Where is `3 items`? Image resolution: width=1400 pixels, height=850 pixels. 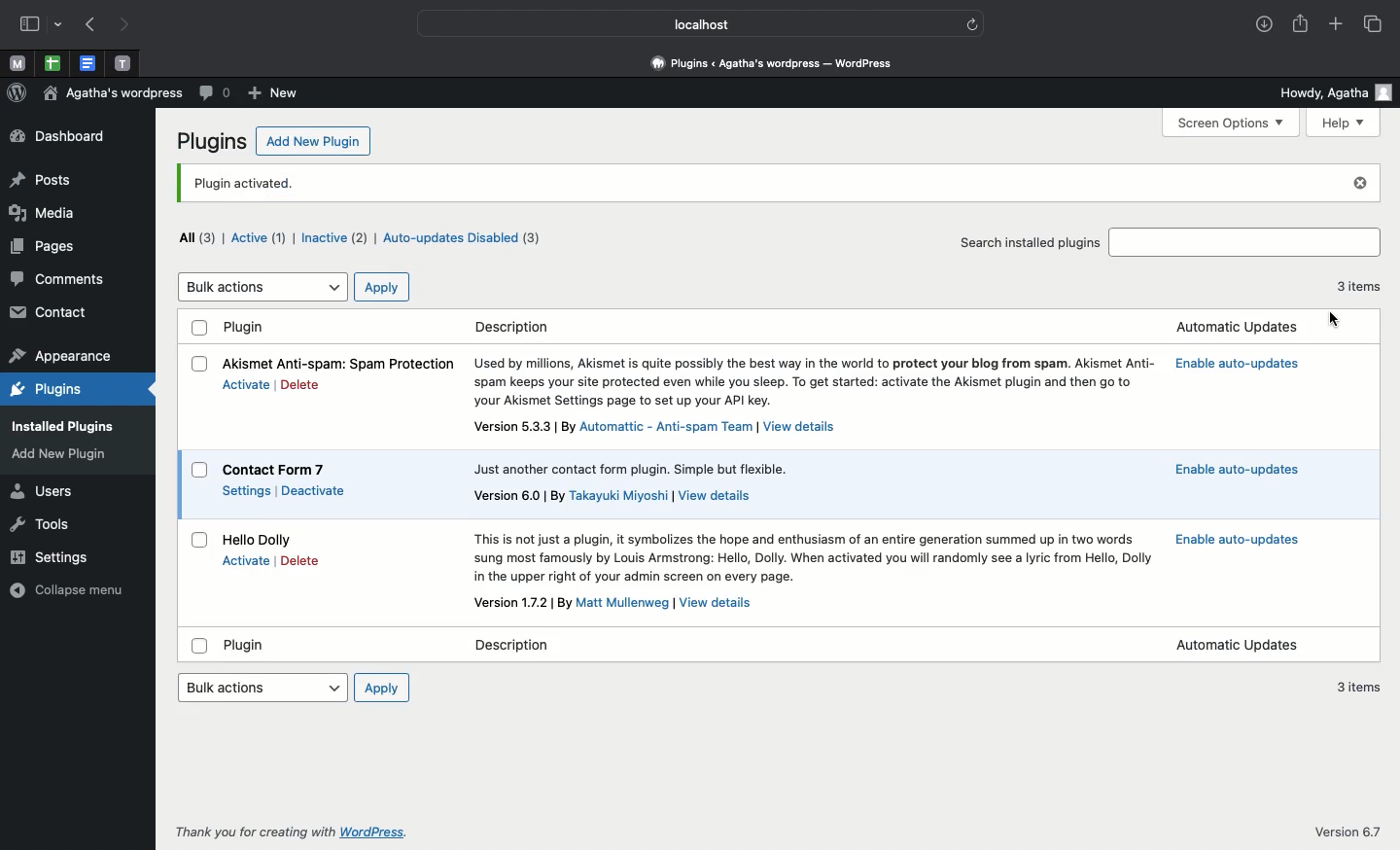
3 items is located at coordinates (1362, 292).